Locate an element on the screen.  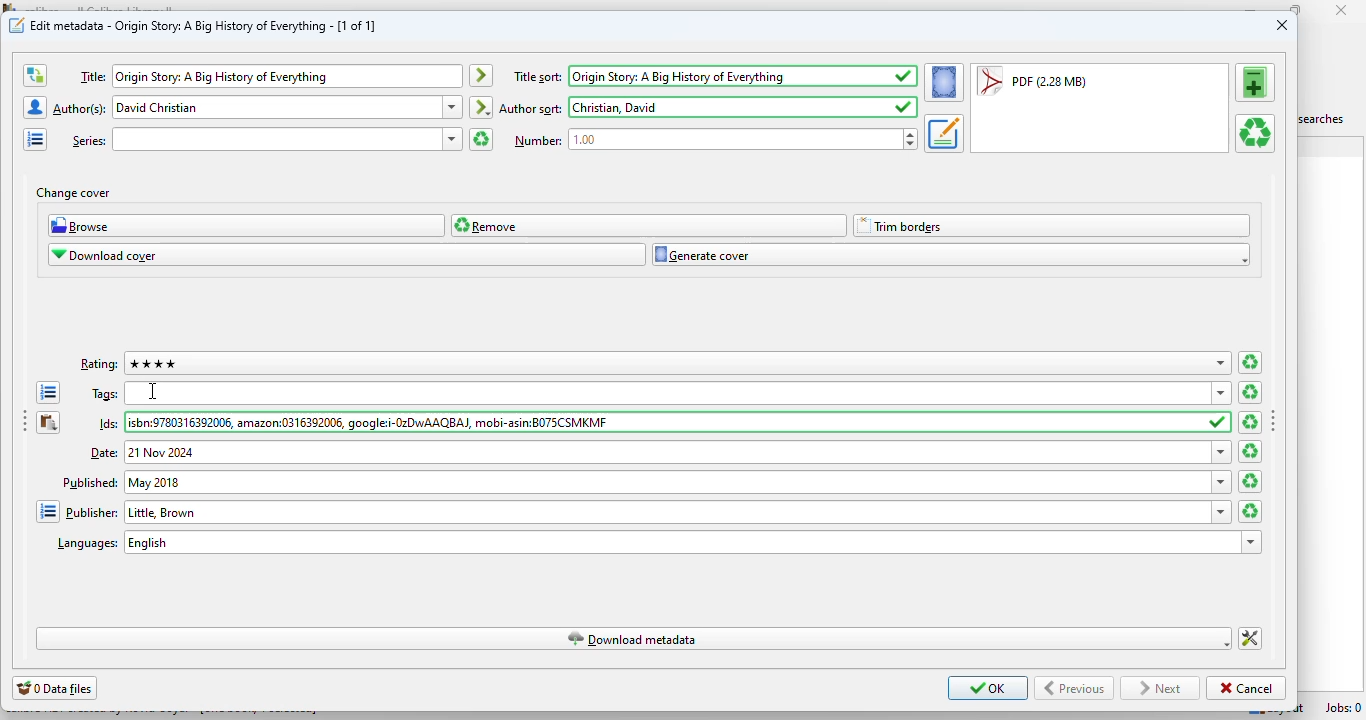
increase or decrease number is located at coordinates (911, 139).